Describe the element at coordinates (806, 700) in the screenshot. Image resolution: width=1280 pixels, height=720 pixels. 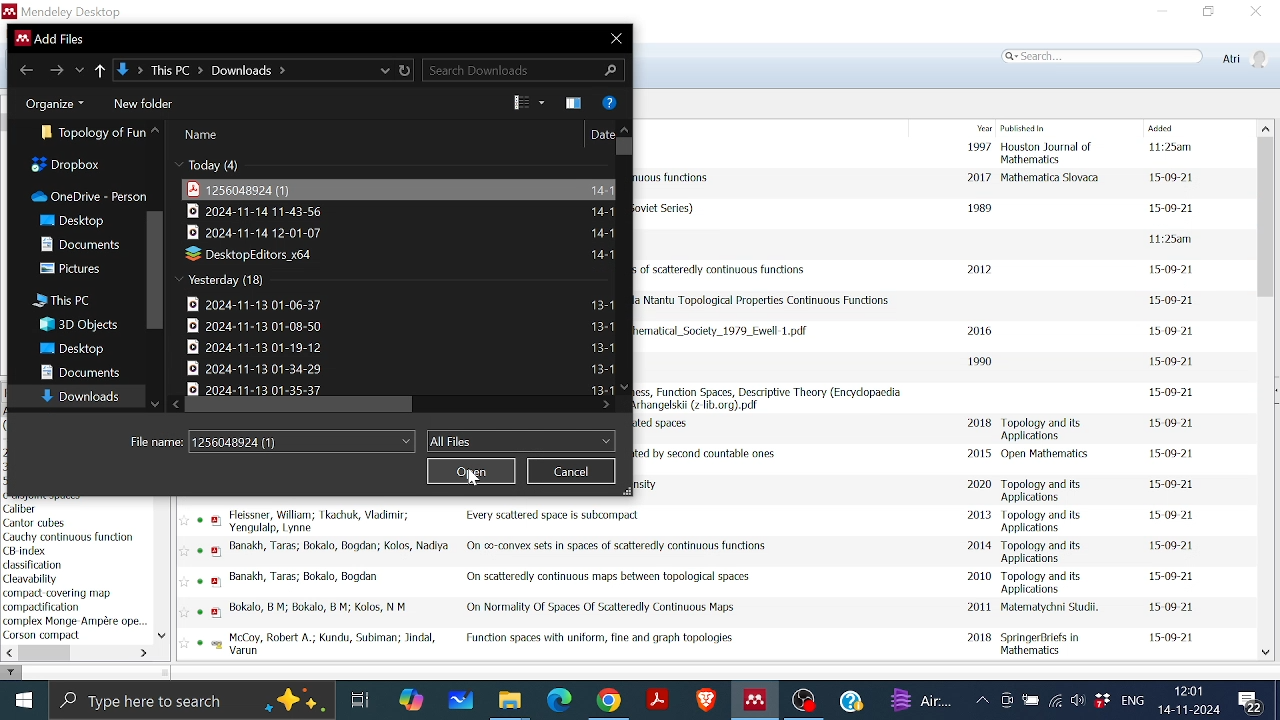
I see `OBS studio` at that location.